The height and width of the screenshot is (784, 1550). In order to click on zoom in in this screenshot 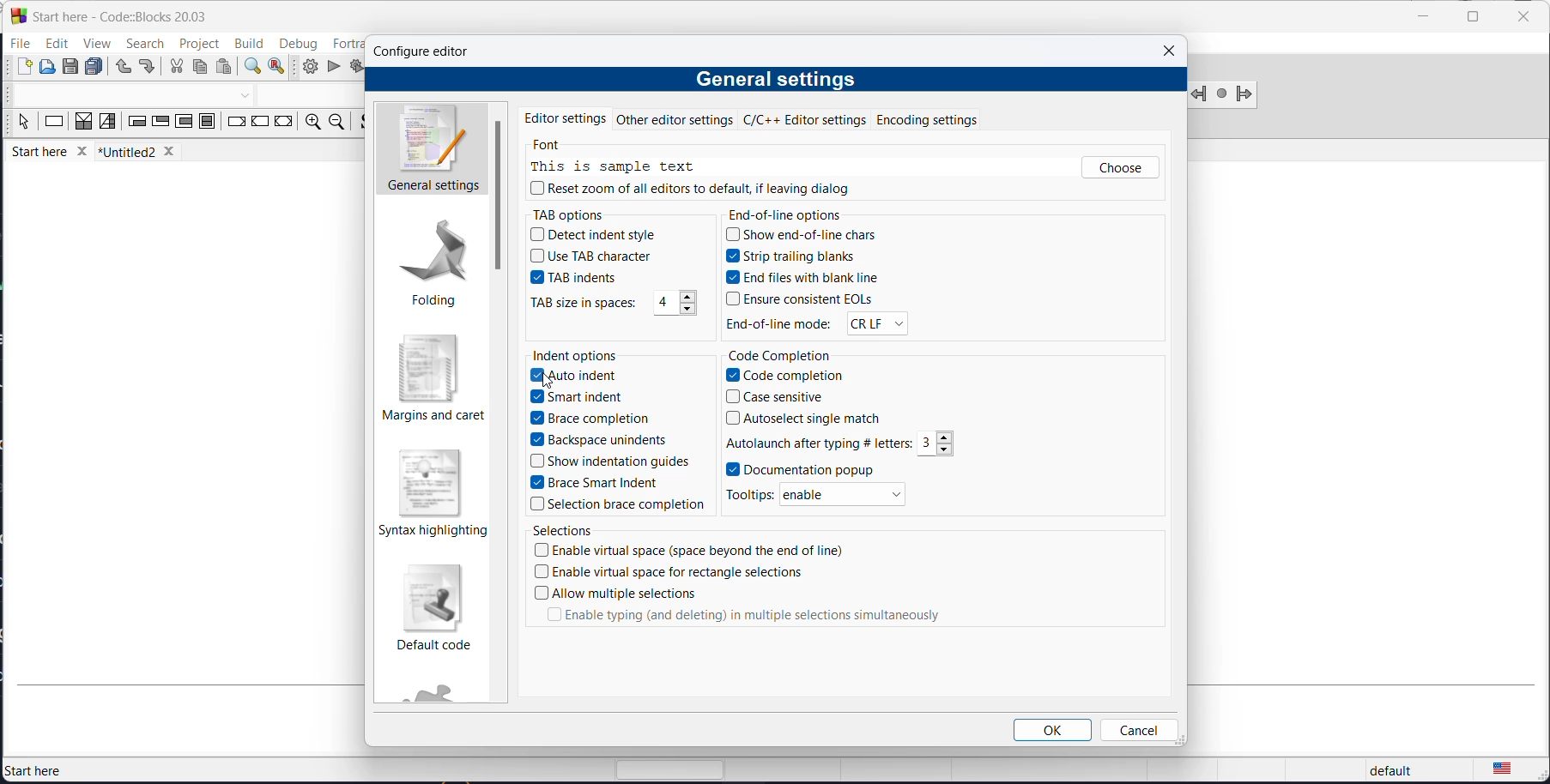, I will do `click(311, 124)`.